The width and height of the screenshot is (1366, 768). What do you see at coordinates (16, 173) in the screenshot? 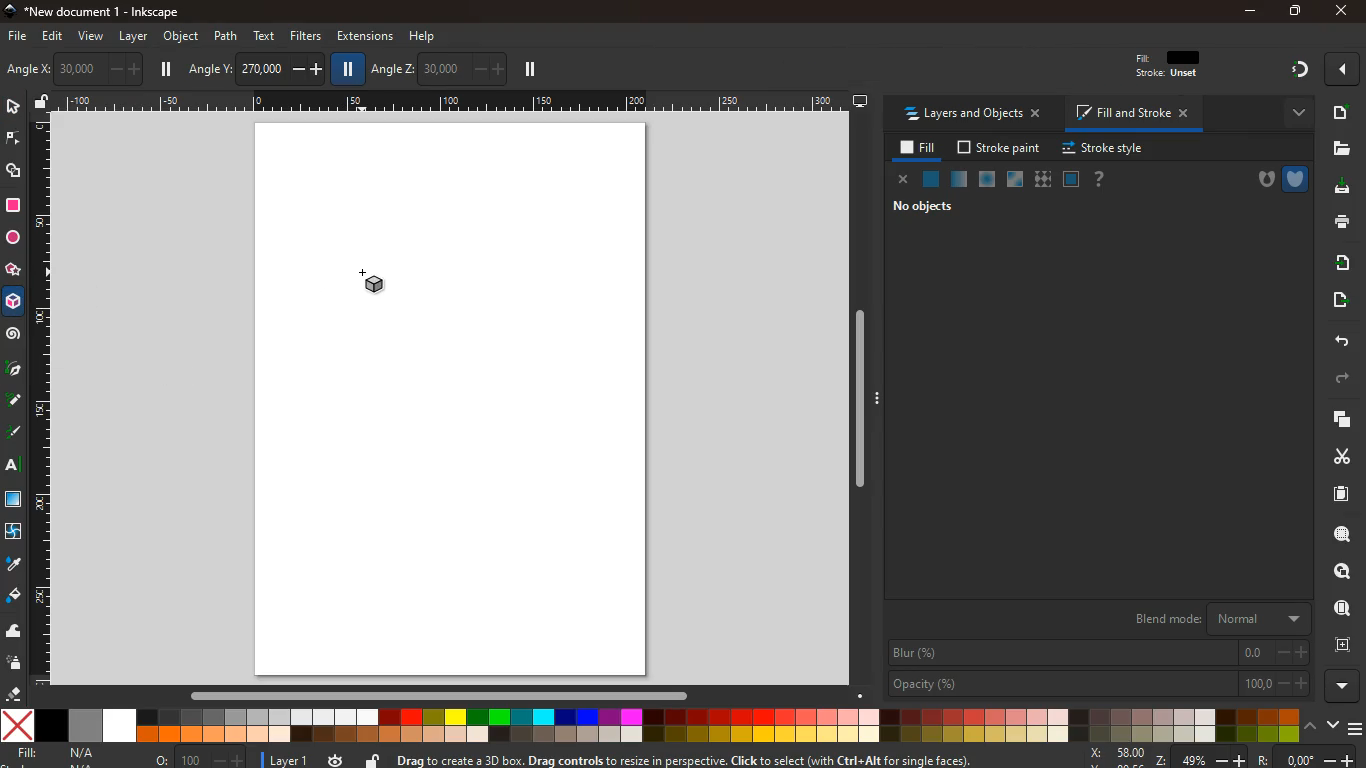
I see `shapes` at bounding box center [16, 173].